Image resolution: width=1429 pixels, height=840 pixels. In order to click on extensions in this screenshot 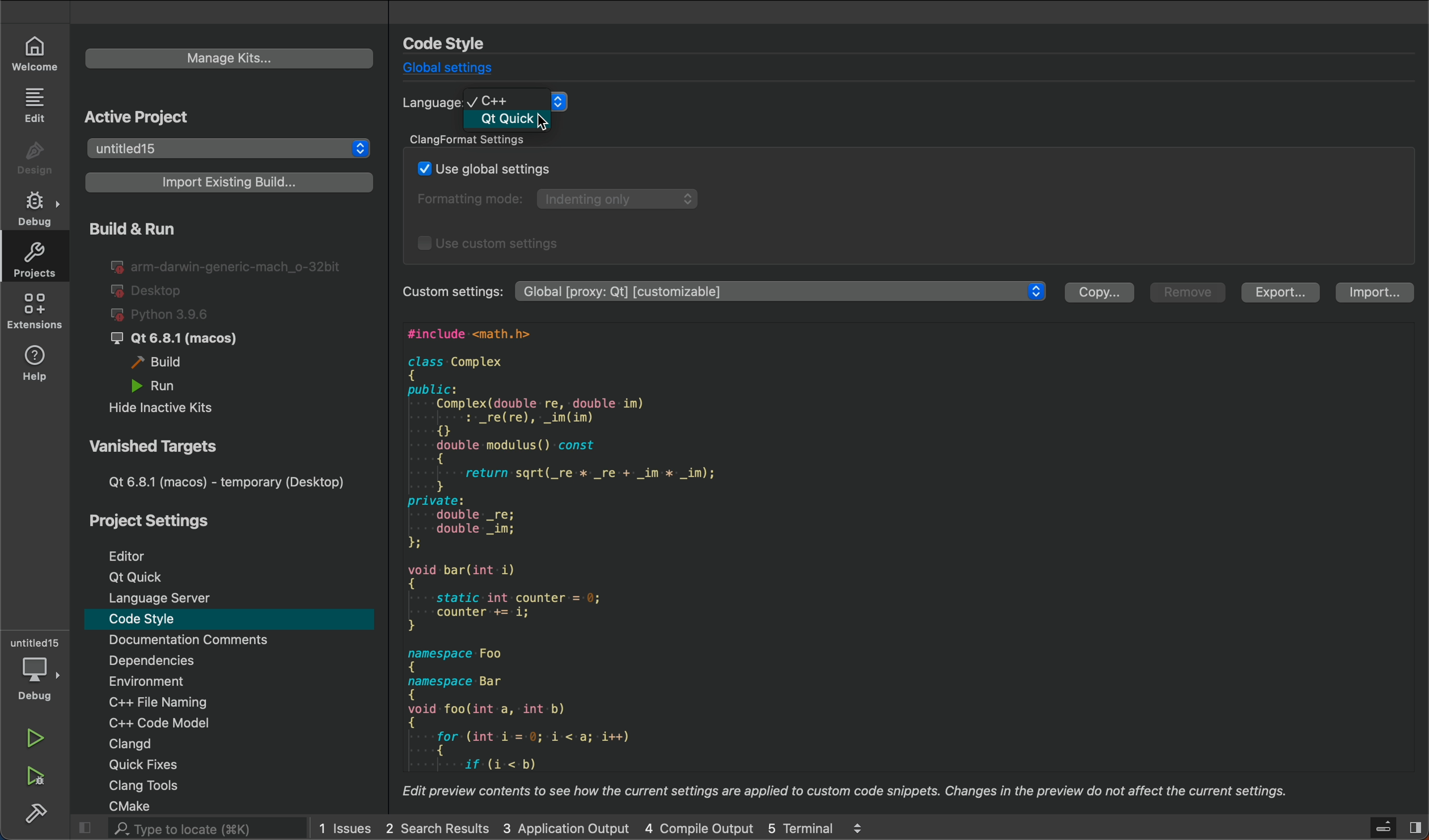, I will do `click(32, 313)`.